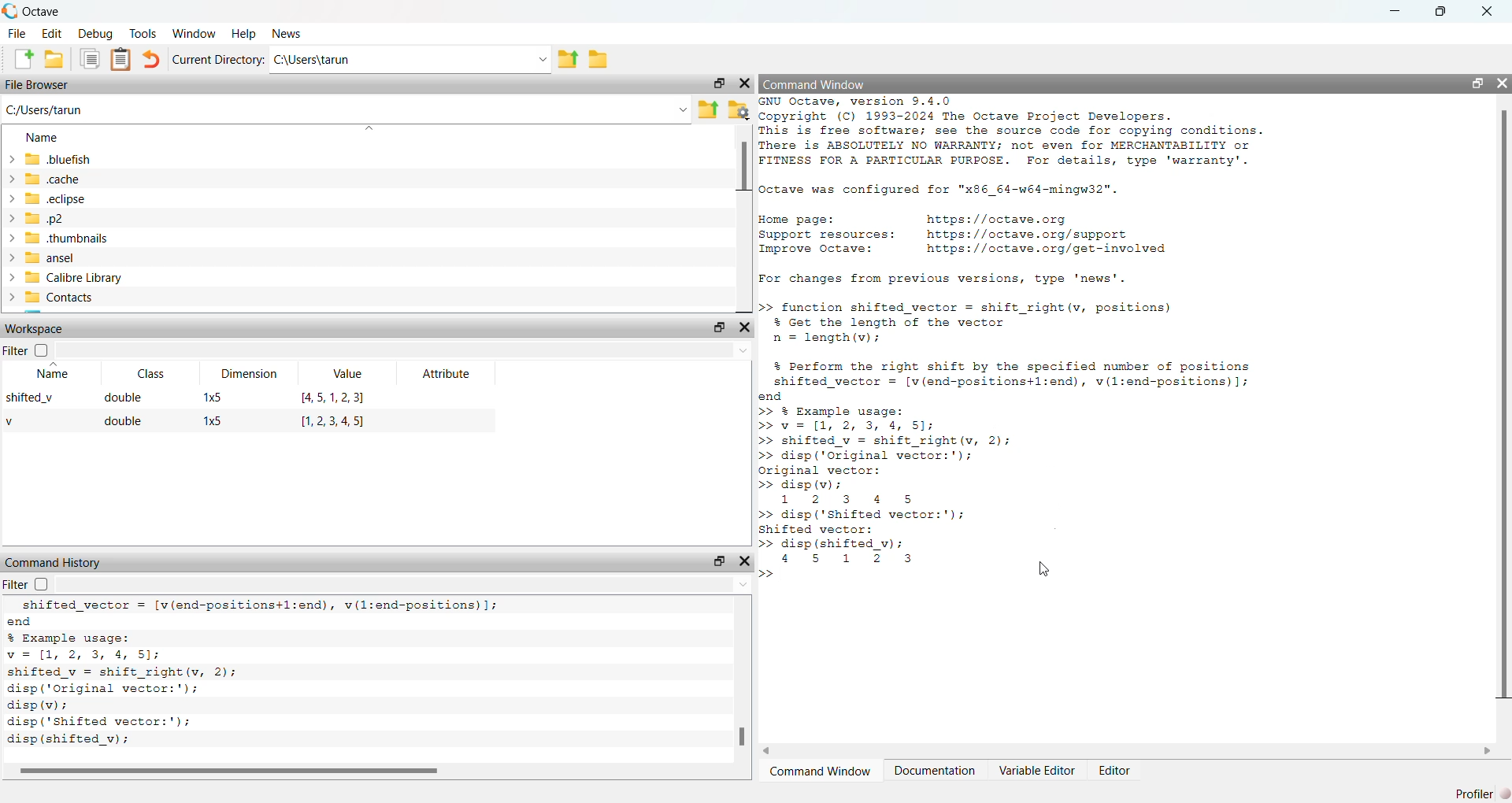  Describe the element at coordinates (1503, 86) in the screenshot. I see `hide widget` at that location.